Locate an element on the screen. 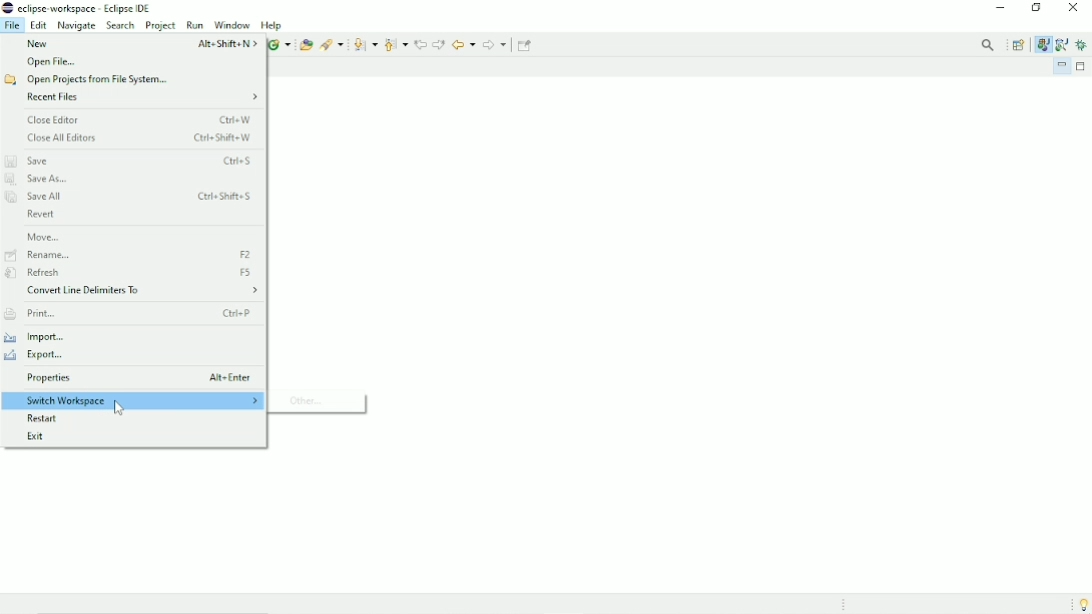 The width and height of the screenshot is (1092, 614). Restart is located at coordinates (48, 419).